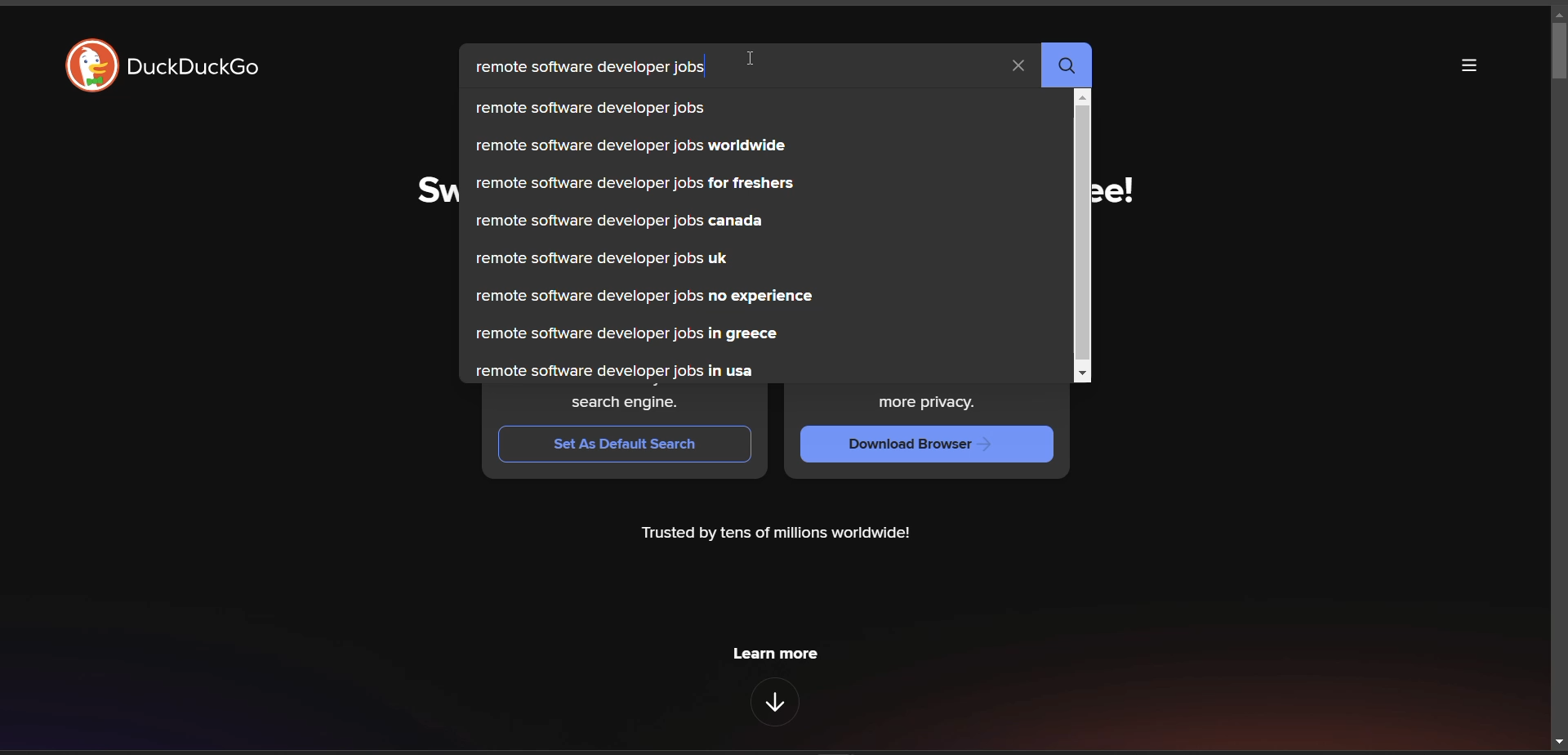  What do you see at coordinates (1557, 53) in the screenshot?
I see `vertical slide bar` at bounding box center [1557, 53].